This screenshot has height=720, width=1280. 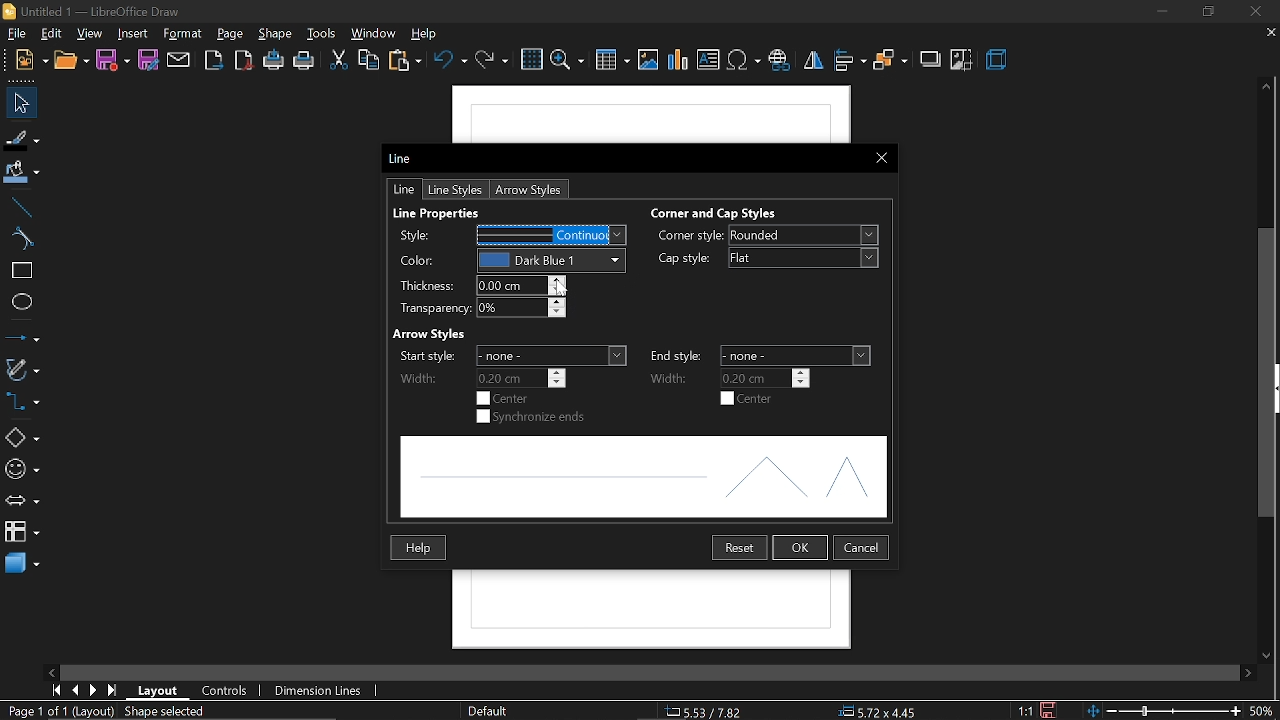 I want to click on edit, so click(x=54, y=33).